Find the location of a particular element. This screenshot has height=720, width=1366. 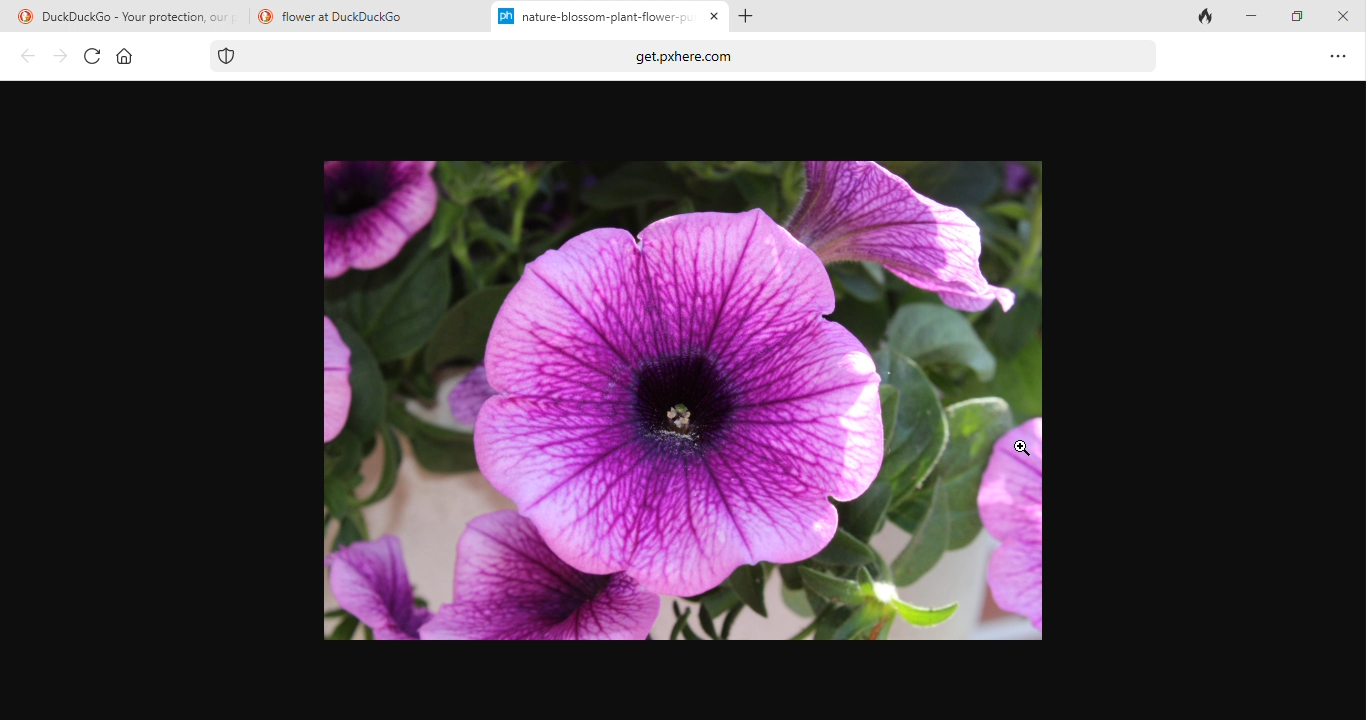

DuckDuckGo - Your protection, our priority is located at coordinates (144, 17).